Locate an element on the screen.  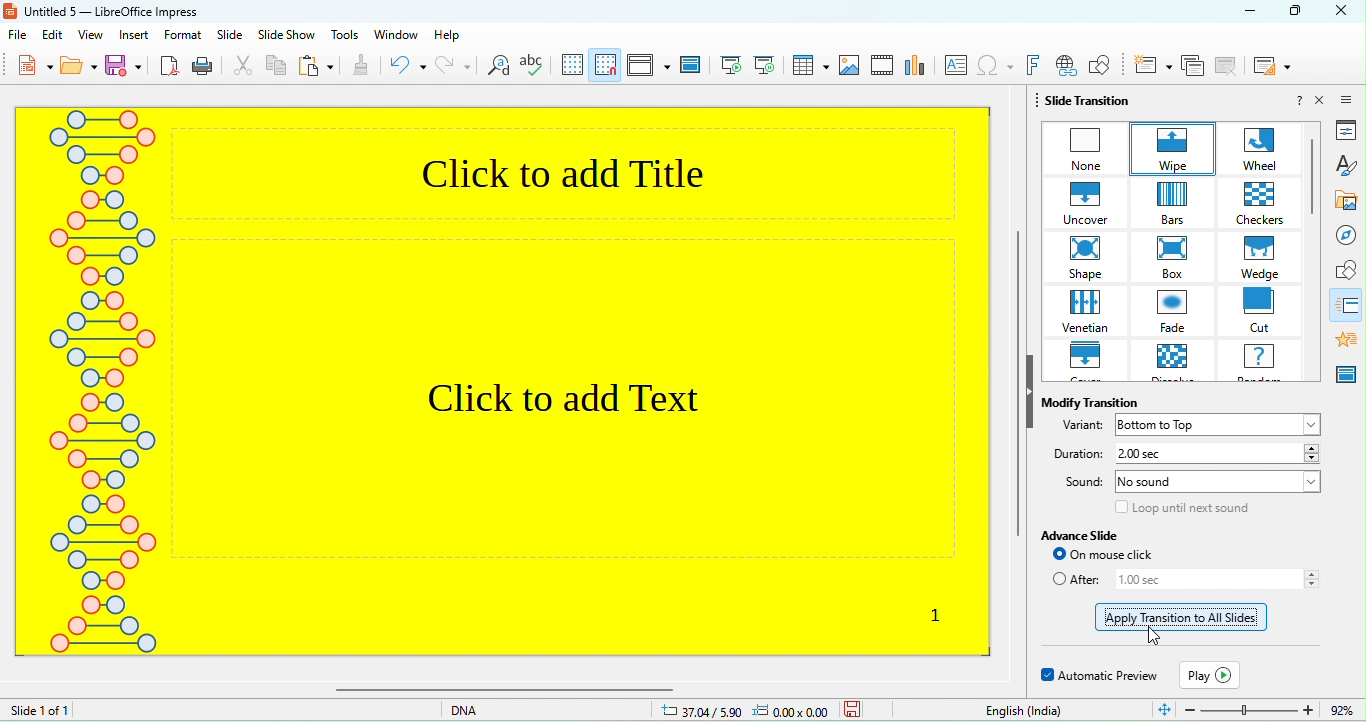
click to add title is located at coordinates (581, 170).